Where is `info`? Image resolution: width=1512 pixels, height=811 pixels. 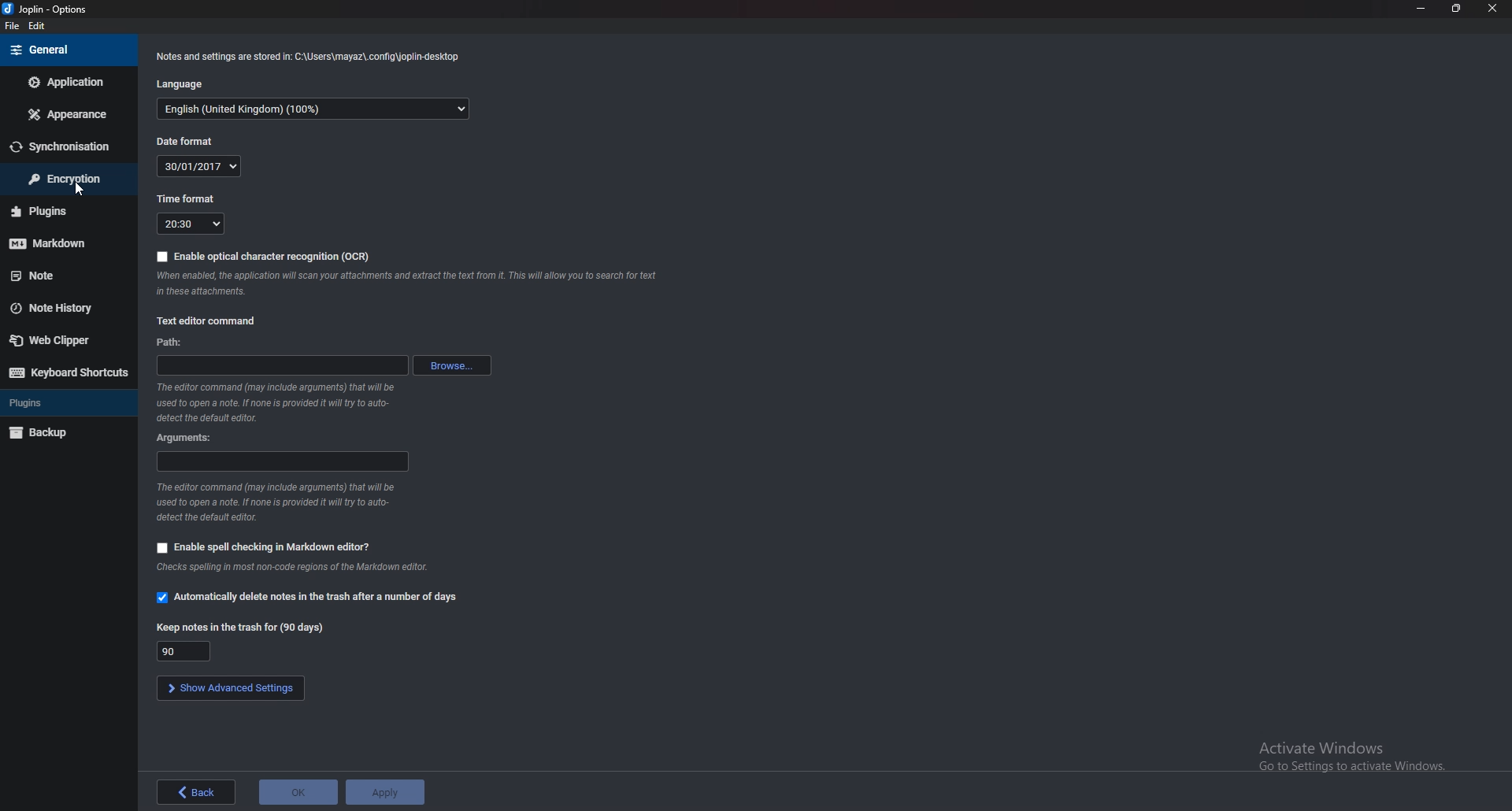 info is located at coordinates (280, 502).